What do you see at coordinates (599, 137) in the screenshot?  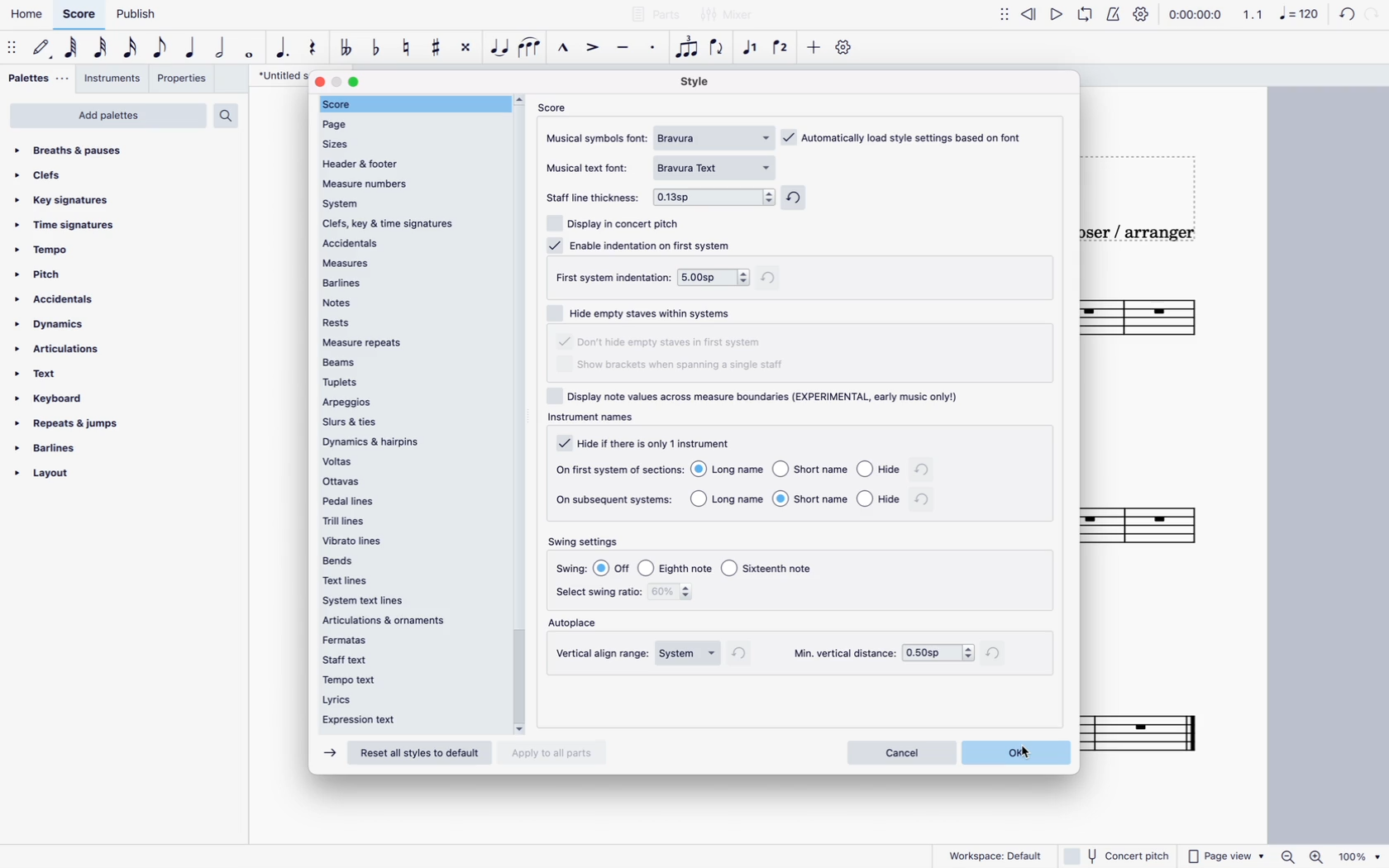 I see `musical symbols font` at bounding box center [599, 137].